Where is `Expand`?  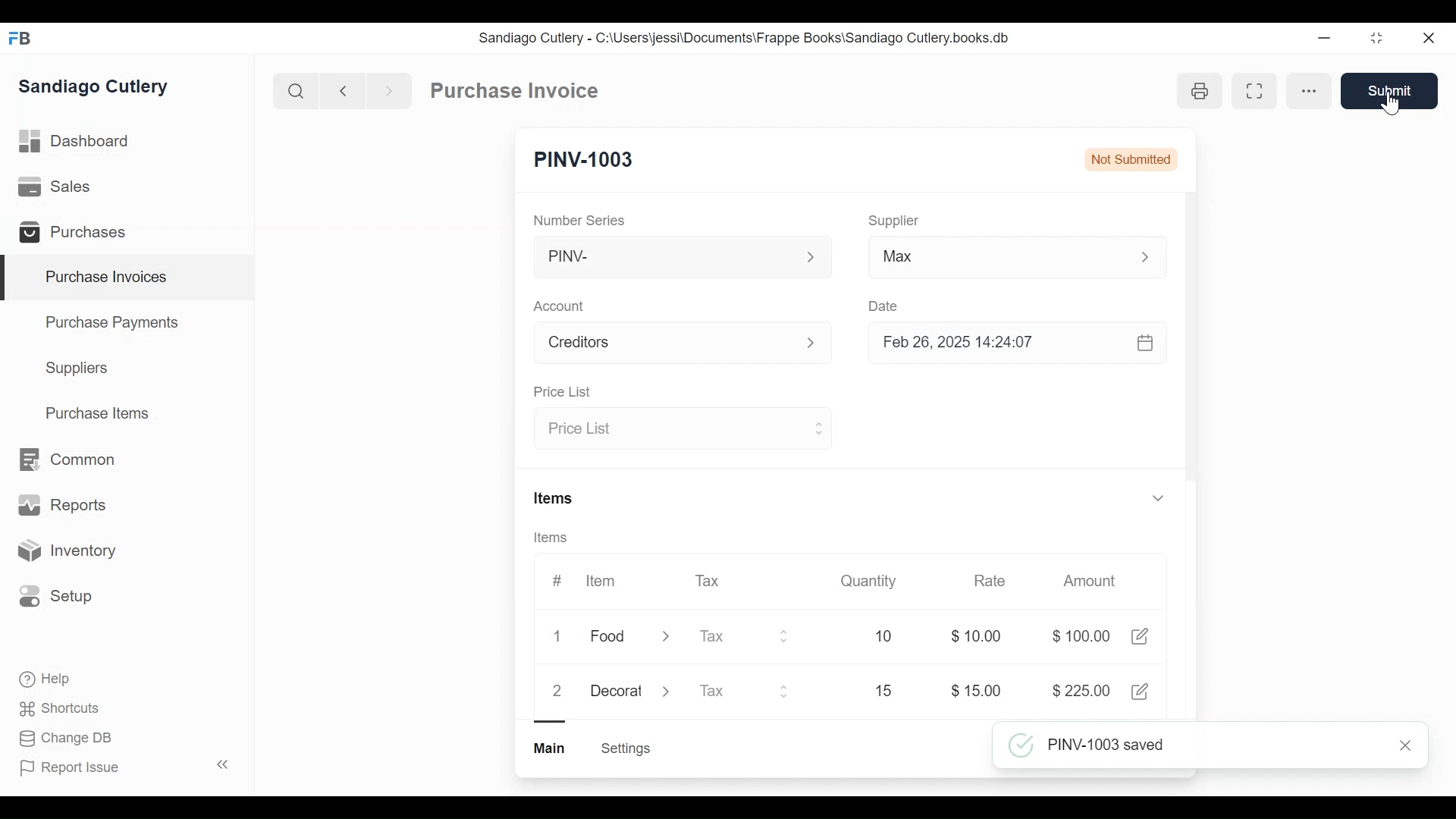
Expand is located at coordinates (669, 690).